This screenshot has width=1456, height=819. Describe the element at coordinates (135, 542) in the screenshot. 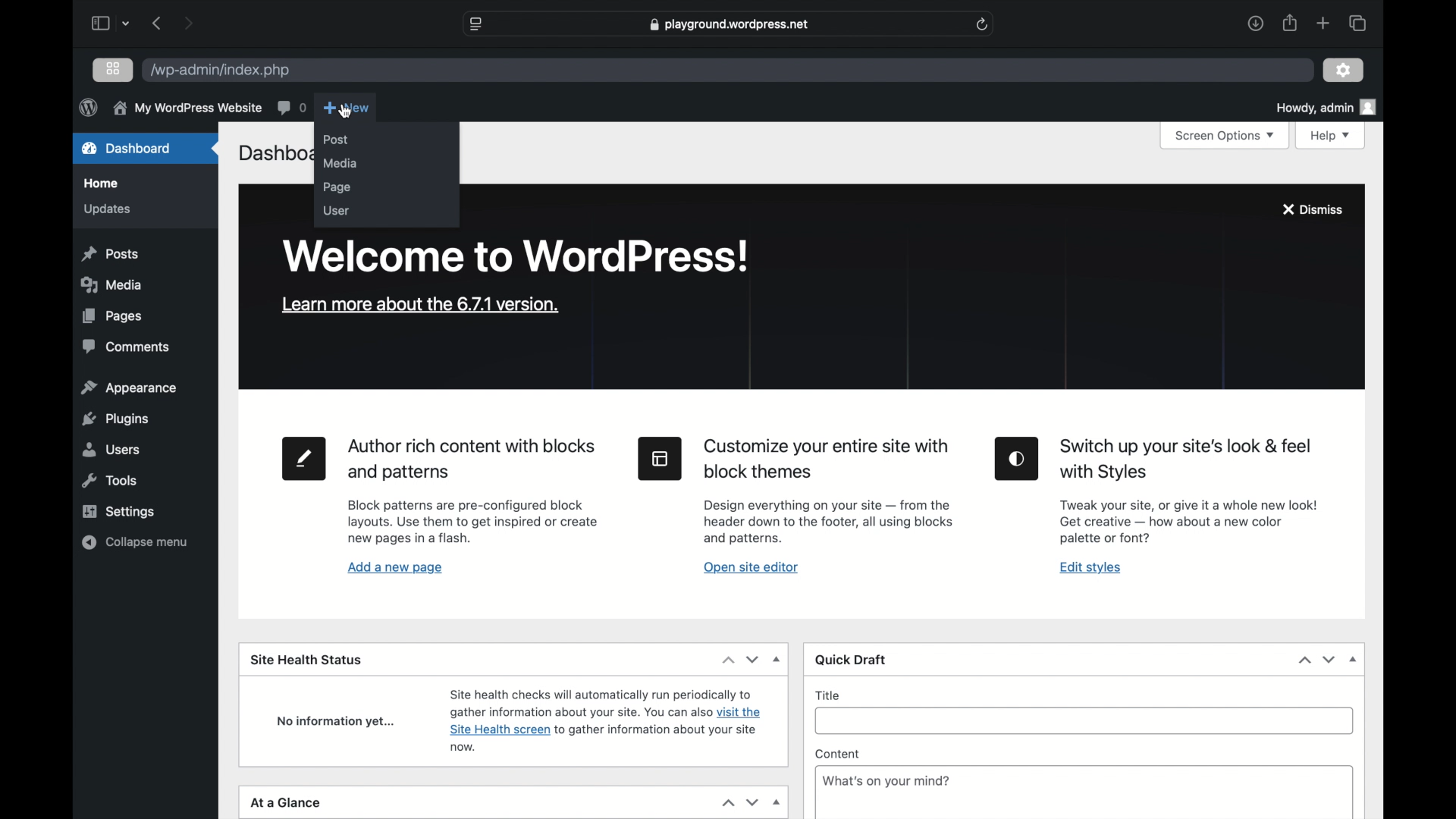

I see `collapse menu` at that location.